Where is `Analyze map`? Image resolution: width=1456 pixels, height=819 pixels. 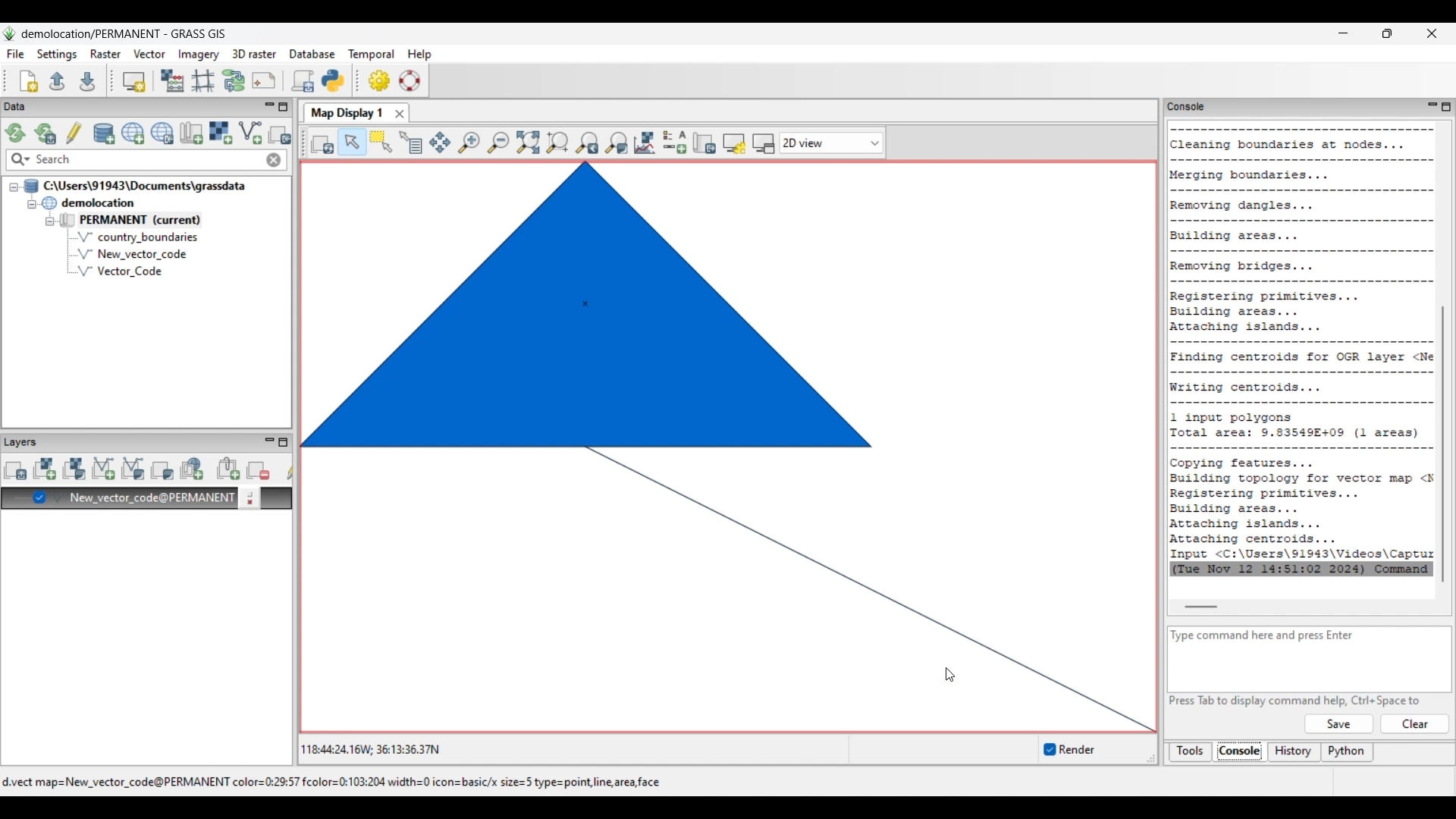 Analyze map is located at coordinates (645, 143).